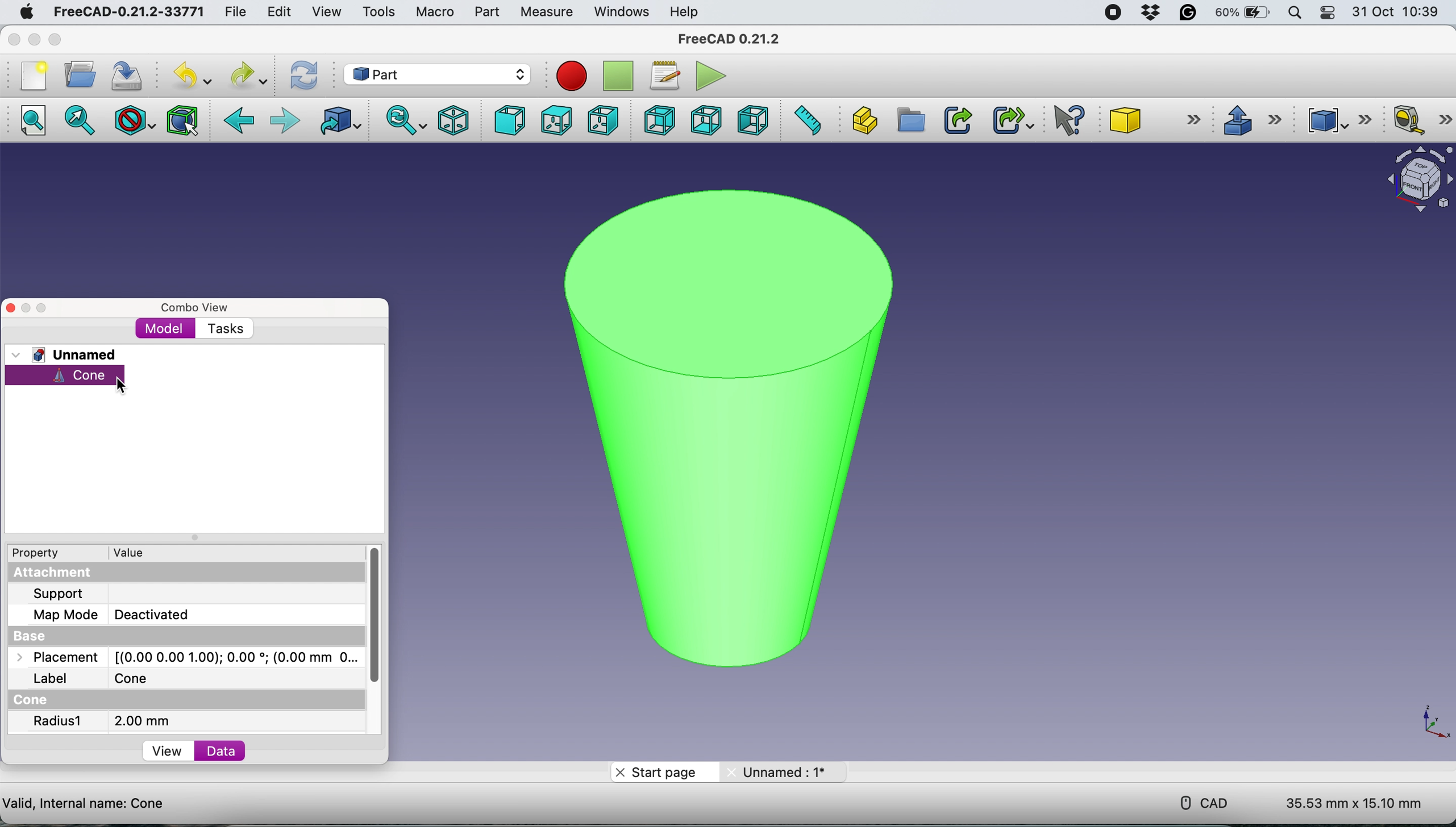 The height and width of the screenshot is (827, 1456). What do you see at coordinates (247, 75) in the screenshot?
I see `redo` at bounding box center [247, 75].